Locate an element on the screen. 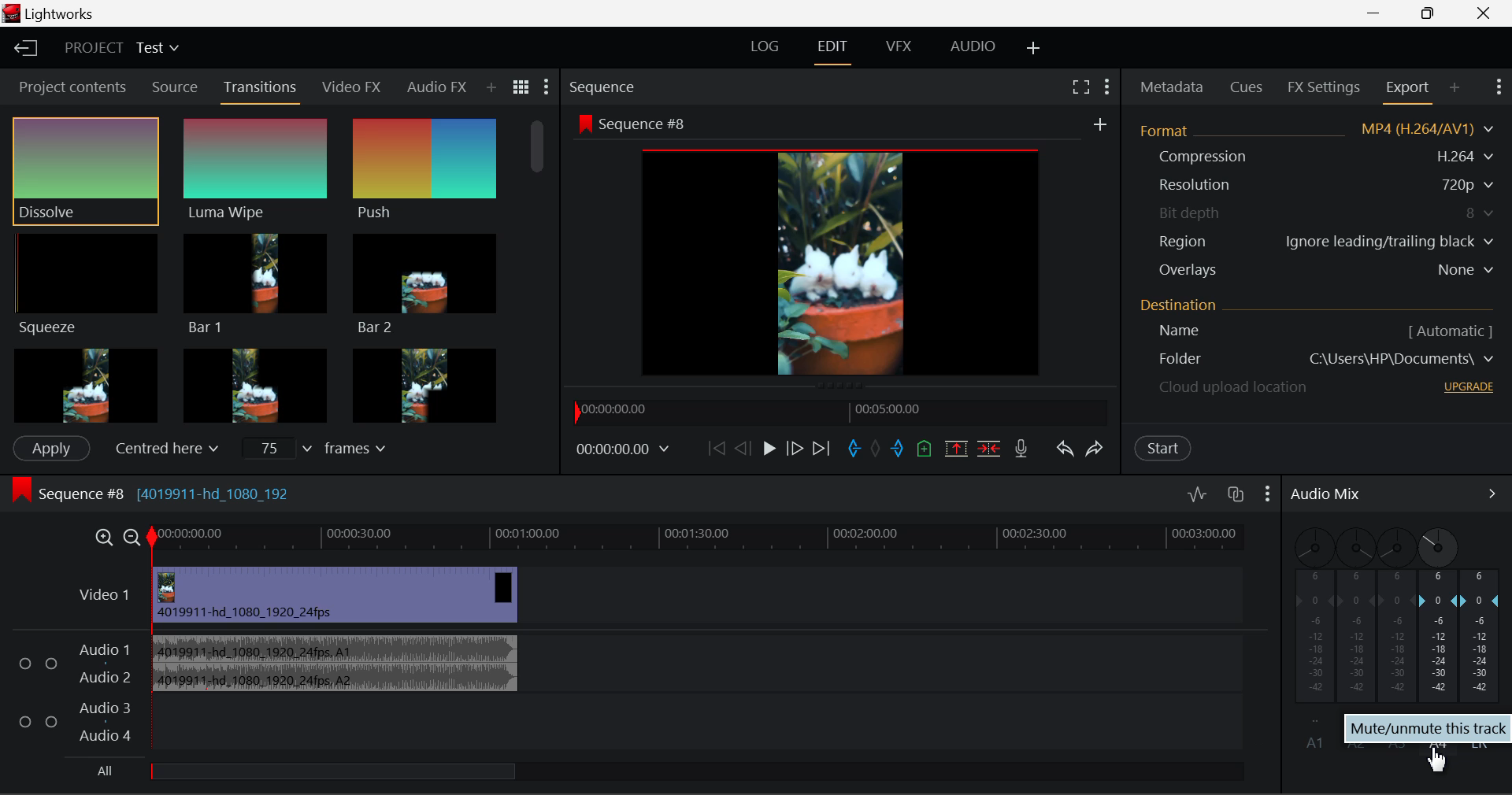 The width and height of the screenshot is (1512, 795). Bar 2 is located at coordinates (427, 287).